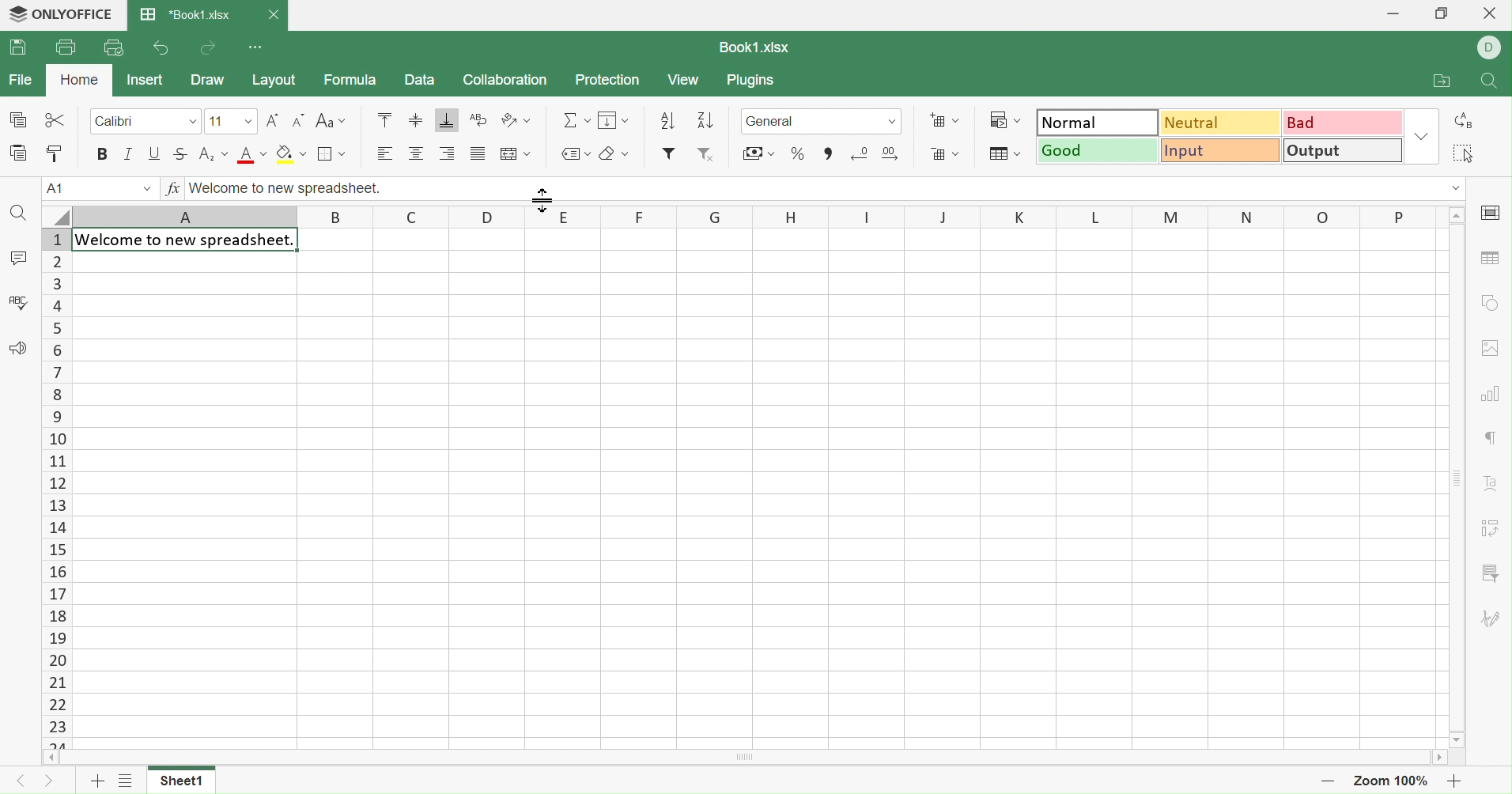 This screenshot has height=794, width=1512. I want to click on Draw, so click(209, 81).